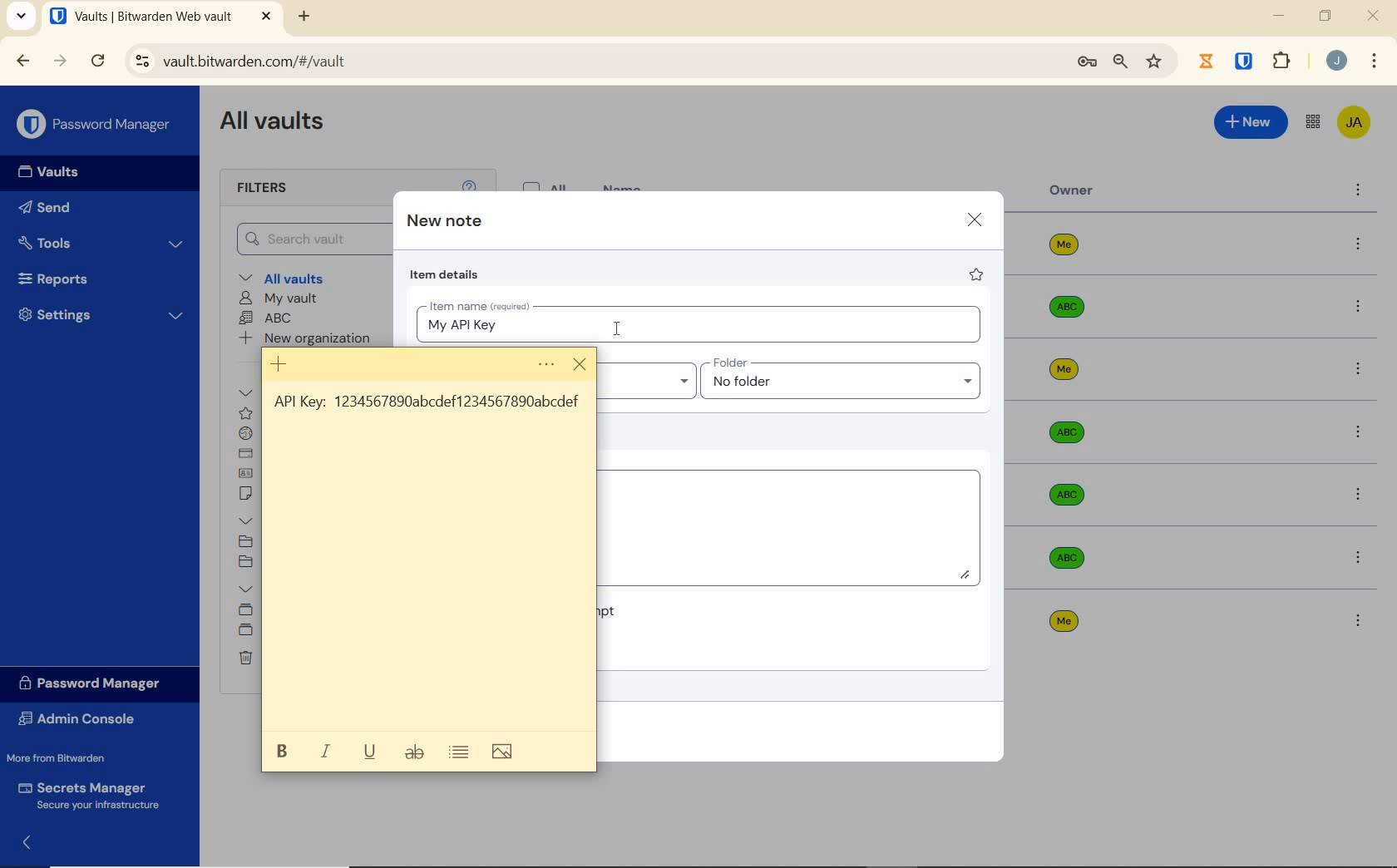  I want to click on CLOSE, so click(1375, 20).